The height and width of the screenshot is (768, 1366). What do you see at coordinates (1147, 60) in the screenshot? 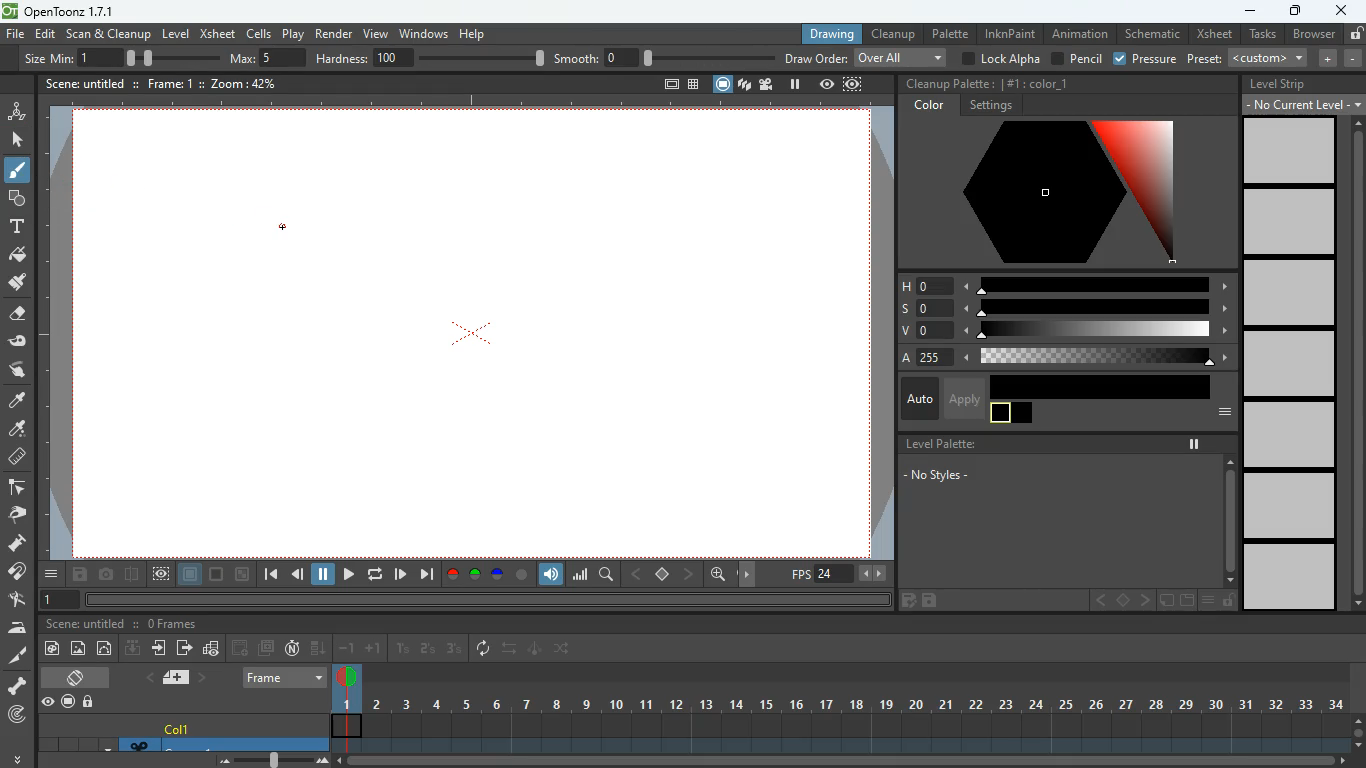
I see `pressure` at bounding box center [1147, 60].